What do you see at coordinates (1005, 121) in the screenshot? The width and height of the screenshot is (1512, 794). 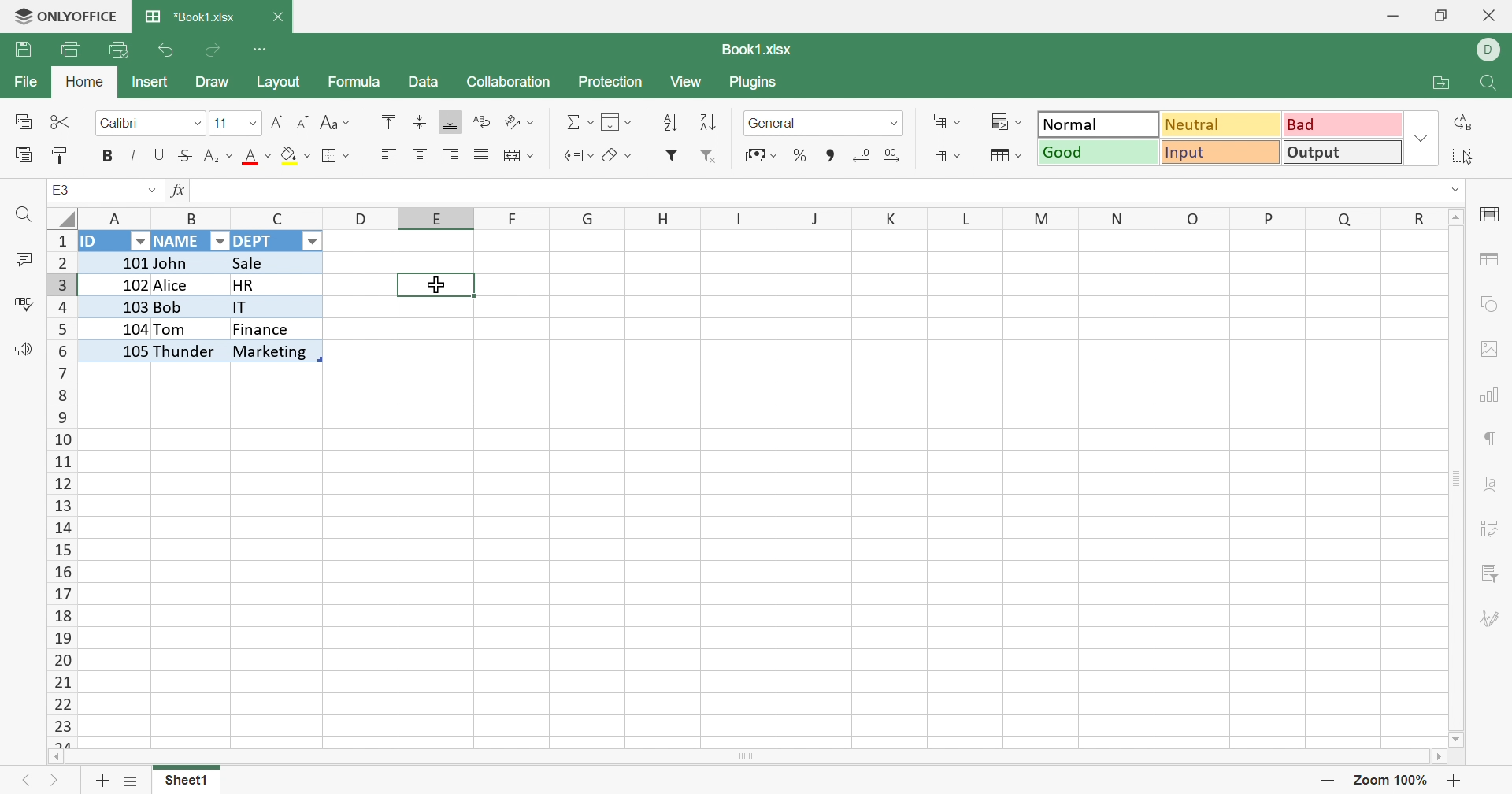 I see `Conditional formatting` at bounding box center [1005, 121].